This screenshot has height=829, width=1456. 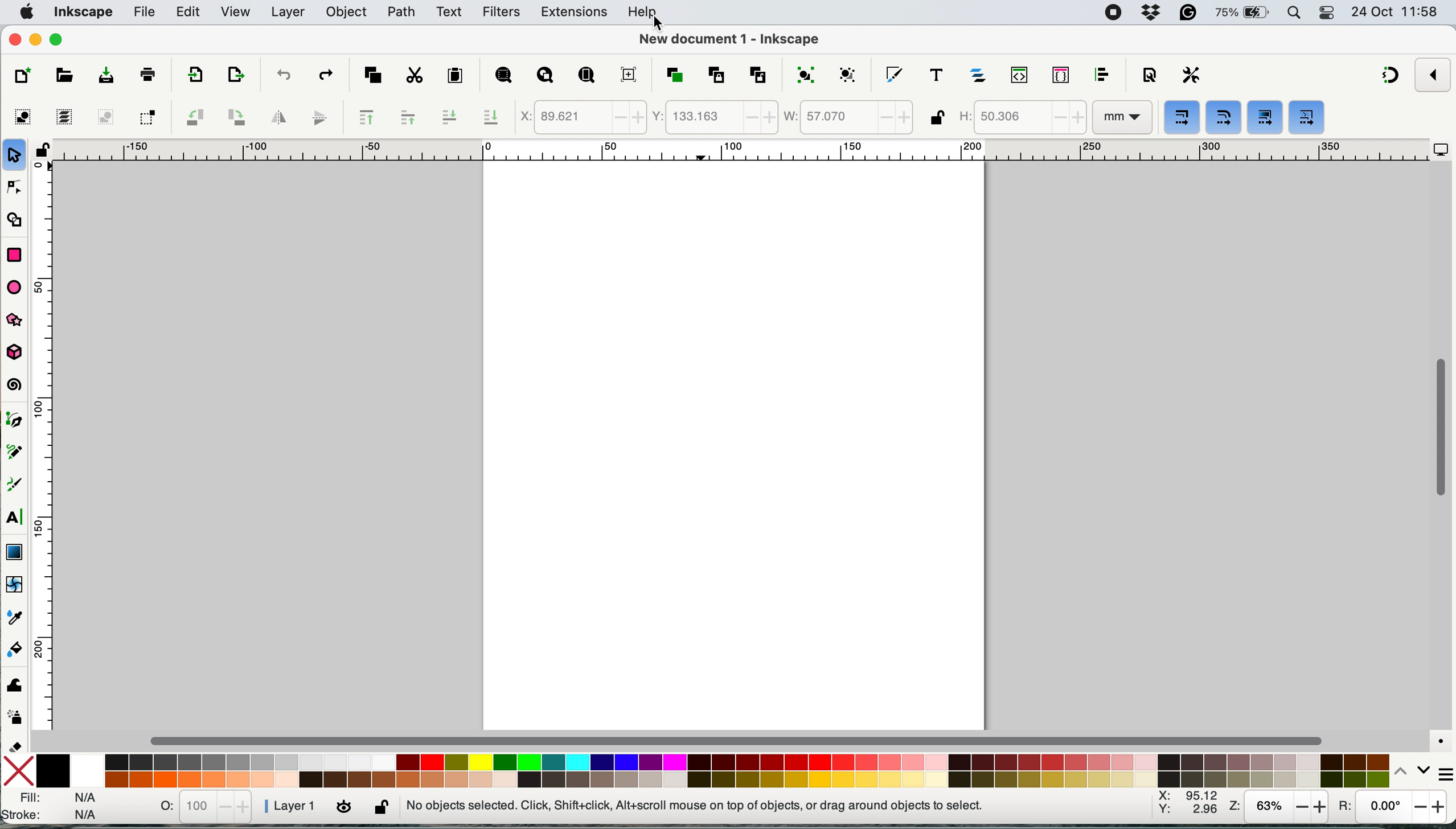 What do you see at coordinates (17, 615) in the screenshot?
I see `dropper` at bounding box center [17, 615].